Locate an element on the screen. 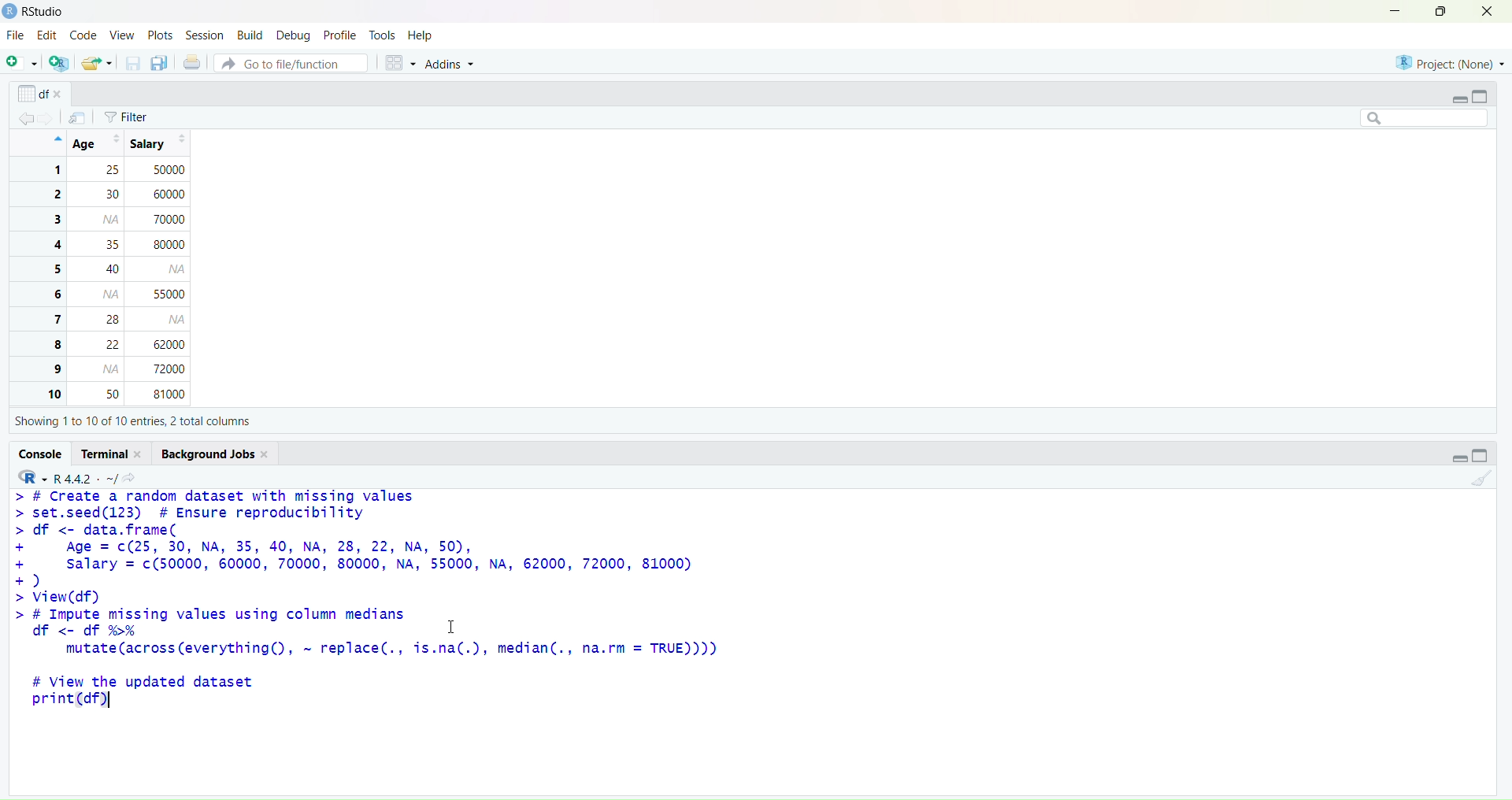  collapse is located at coordinates (1486, 457).